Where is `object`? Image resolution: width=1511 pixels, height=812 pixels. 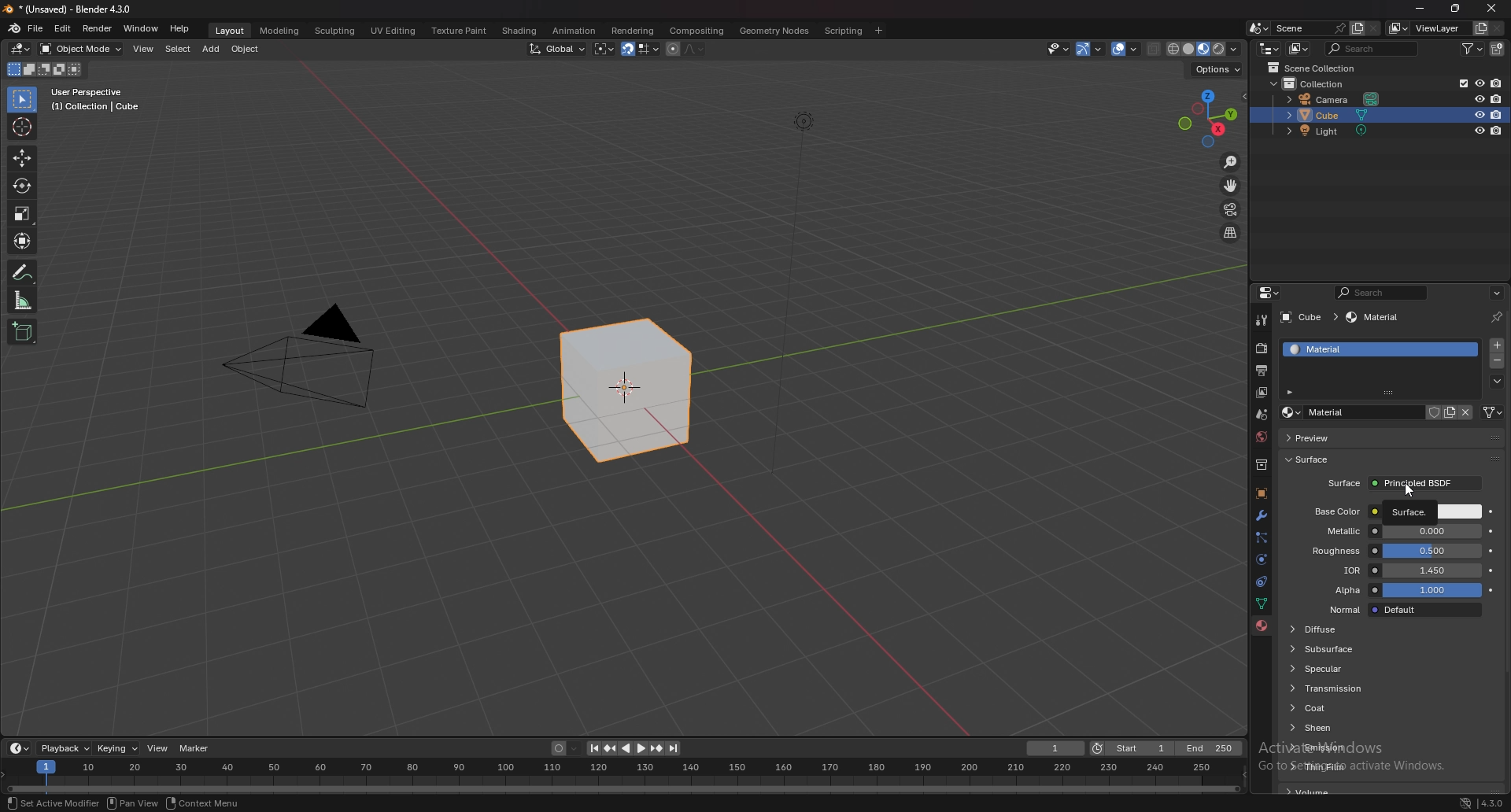
object is located at coordinates (248, 49).